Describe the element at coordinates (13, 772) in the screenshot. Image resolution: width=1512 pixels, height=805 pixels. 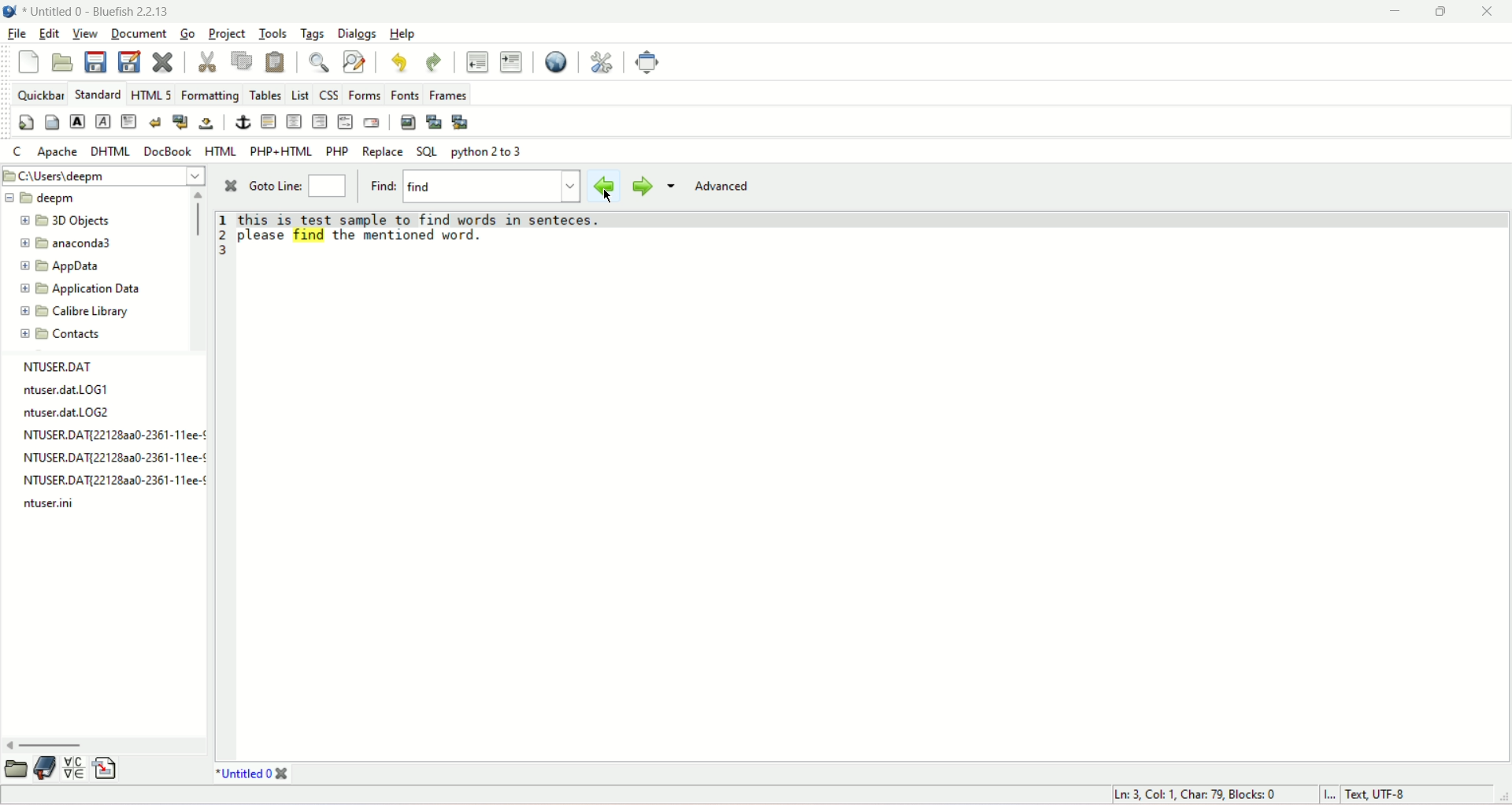
I see `open` at that location.